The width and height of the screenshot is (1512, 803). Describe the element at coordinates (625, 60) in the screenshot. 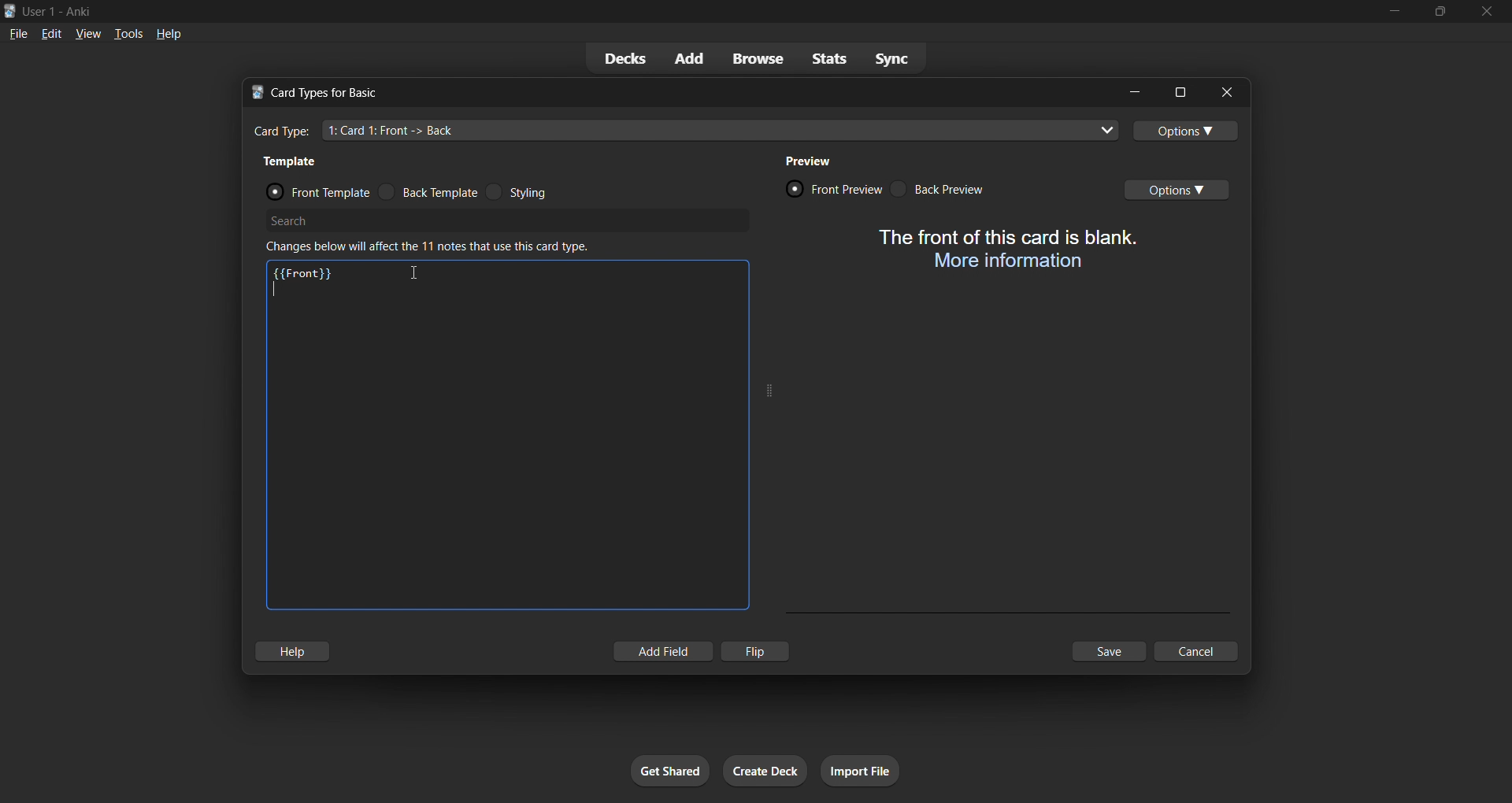

I see `decks` at that location.